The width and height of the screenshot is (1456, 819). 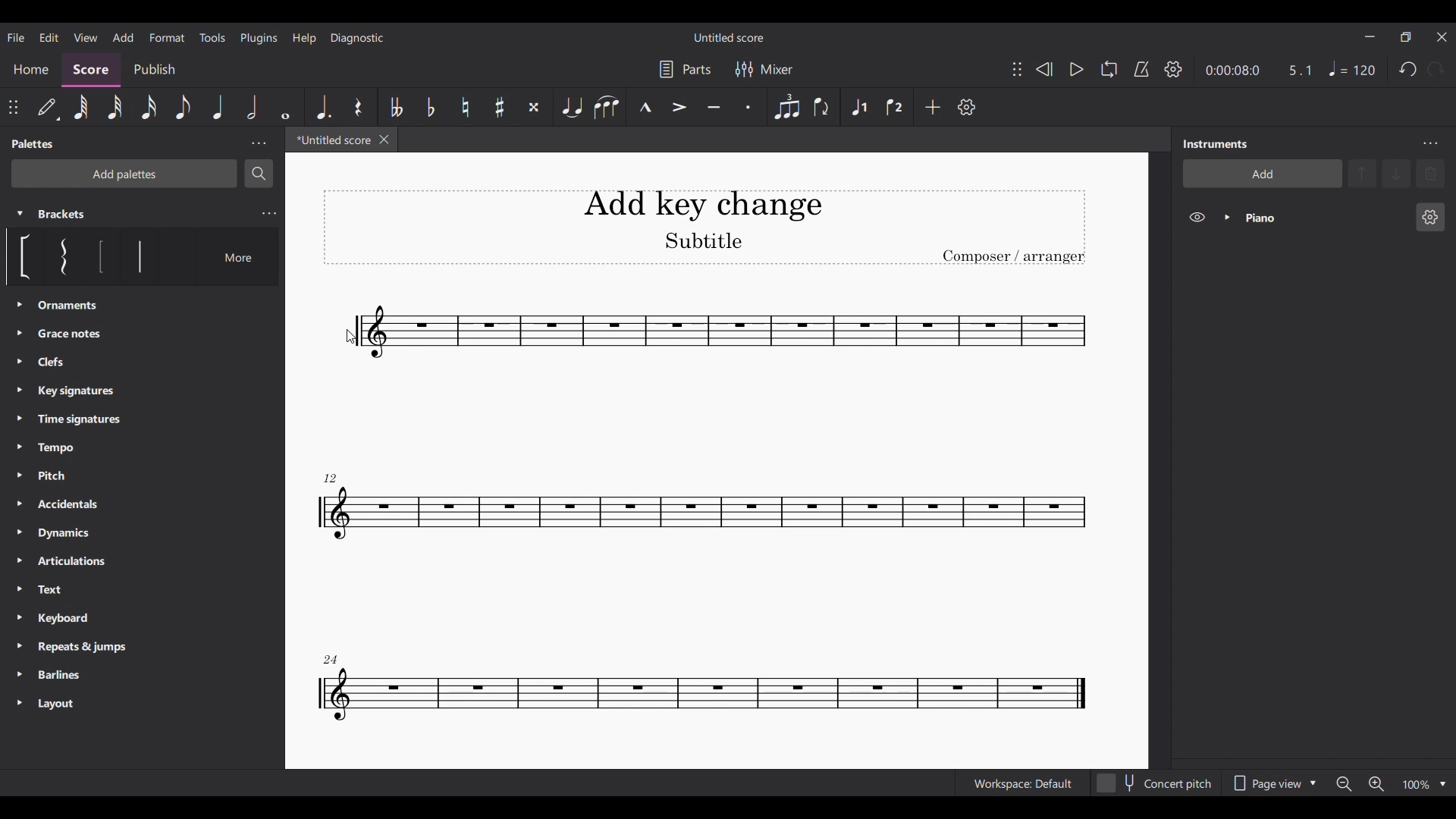 I want to click on Publish section, so click(x=154, y=70).